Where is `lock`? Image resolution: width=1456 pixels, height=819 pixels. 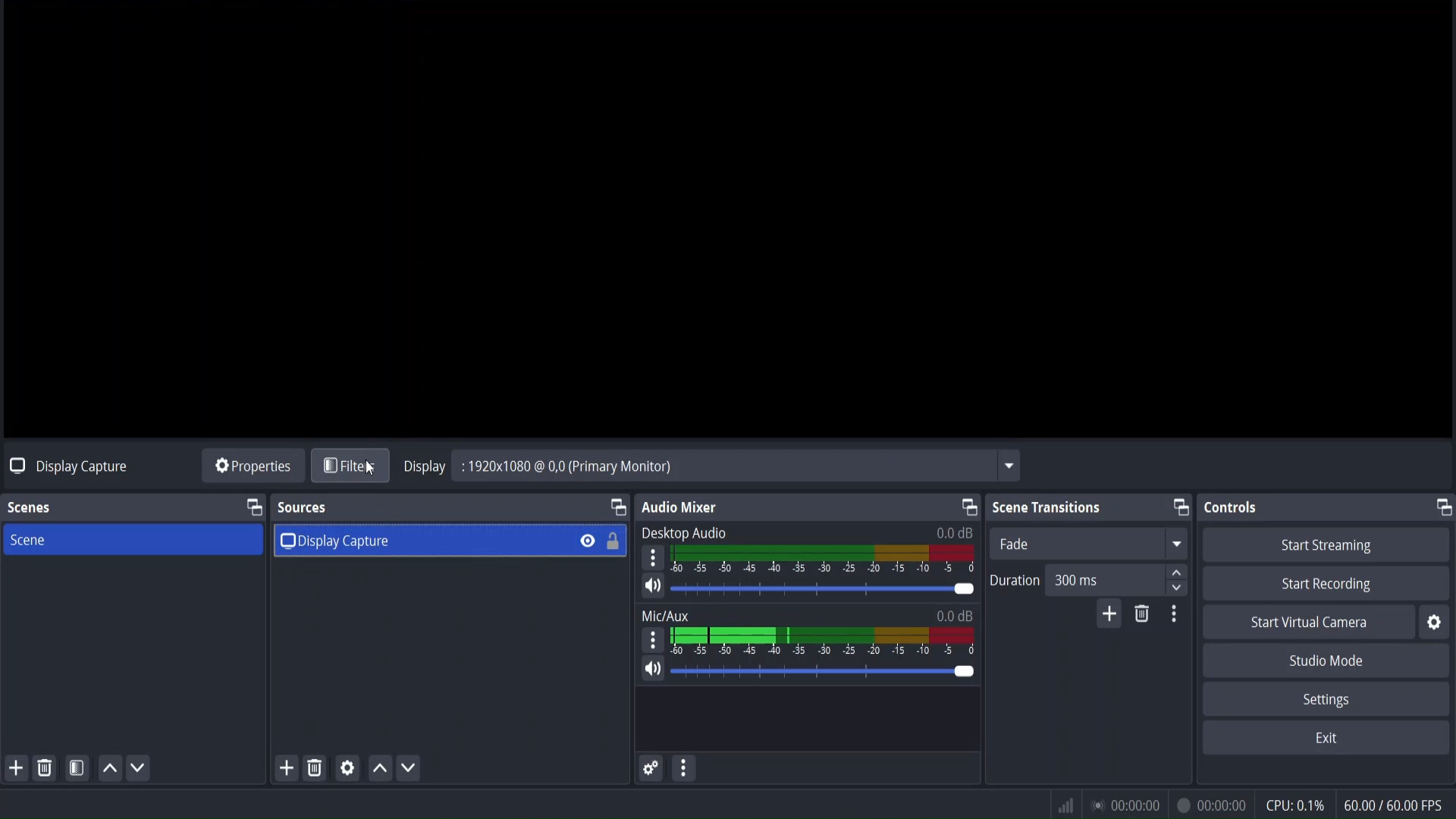
lock is located at coordinates (613, 541).